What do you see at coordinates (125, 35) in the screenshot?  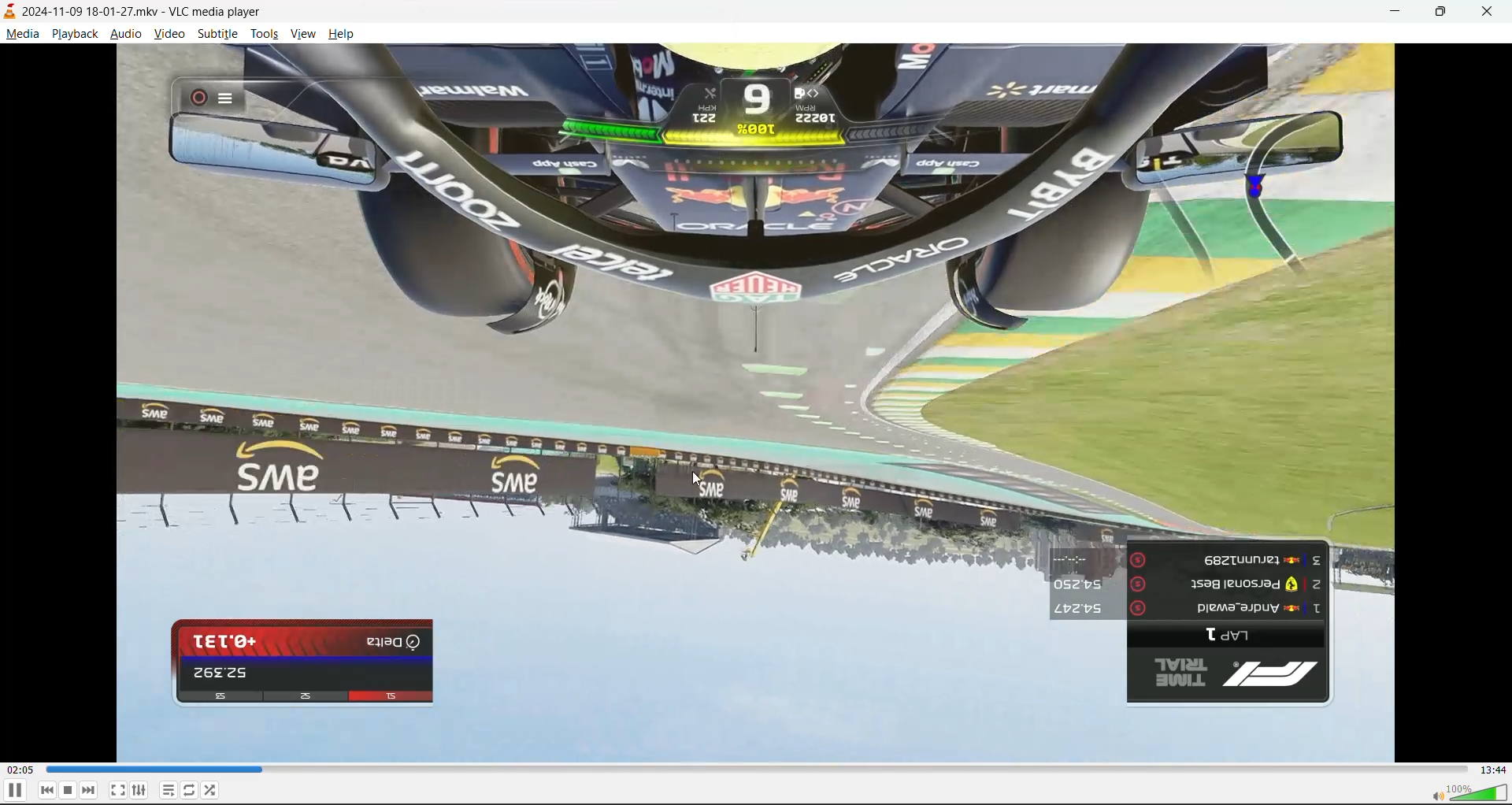 I see `audio` at bounding box center [125, 35].